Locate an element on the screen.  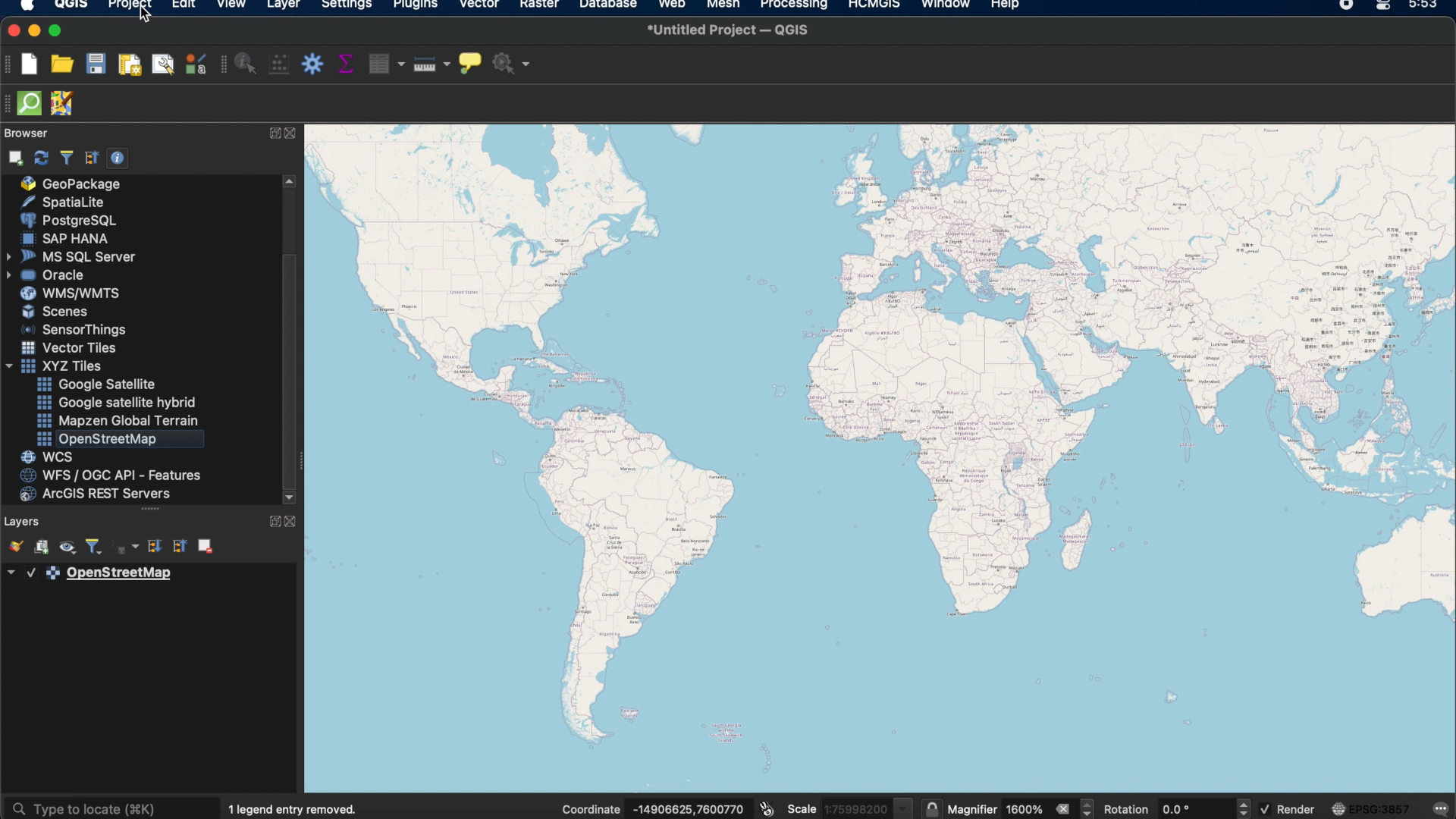
wcs is located at coordinates (76, 457).